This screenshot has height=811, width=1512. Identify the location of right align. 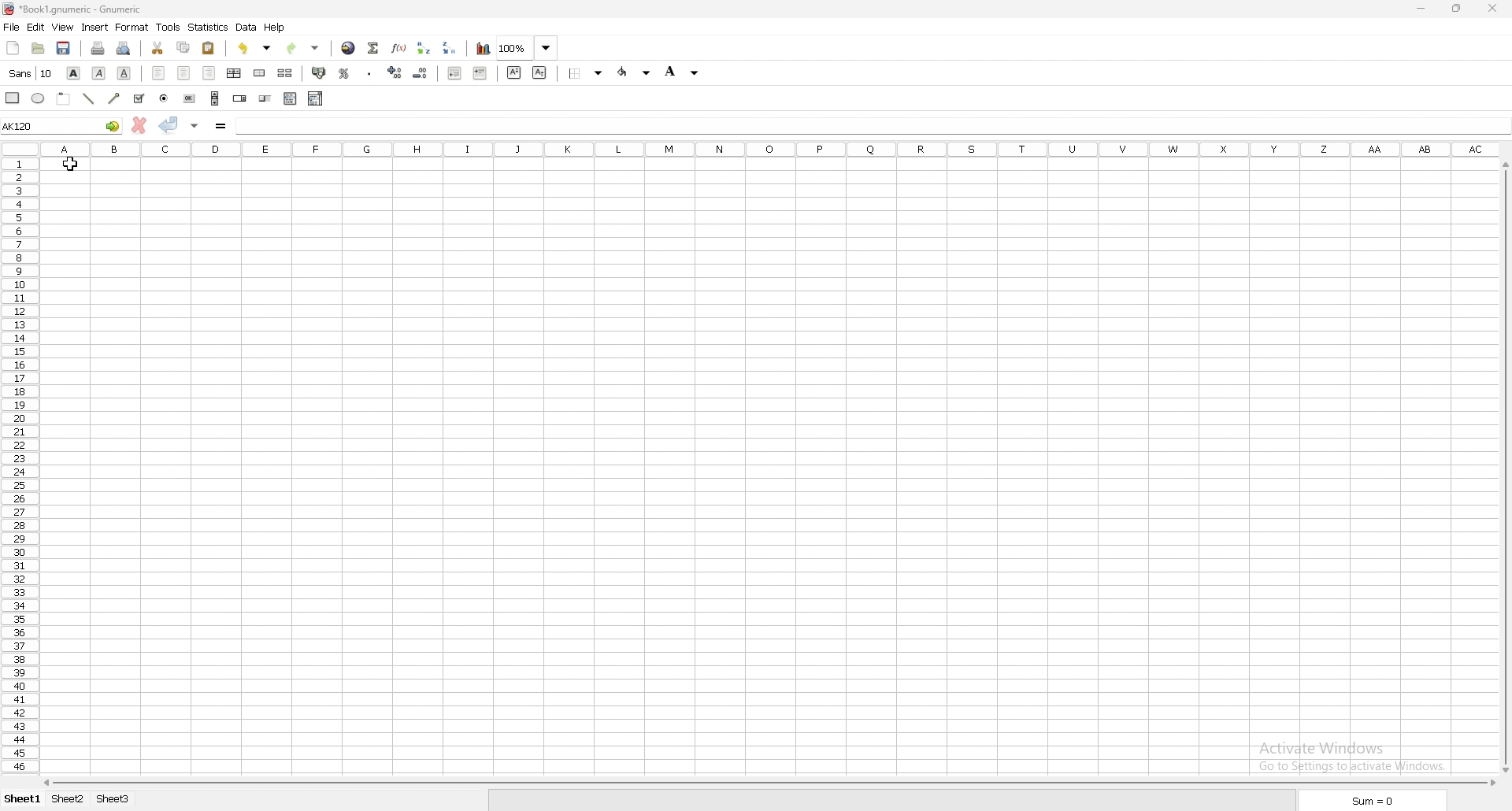
(209, 73).